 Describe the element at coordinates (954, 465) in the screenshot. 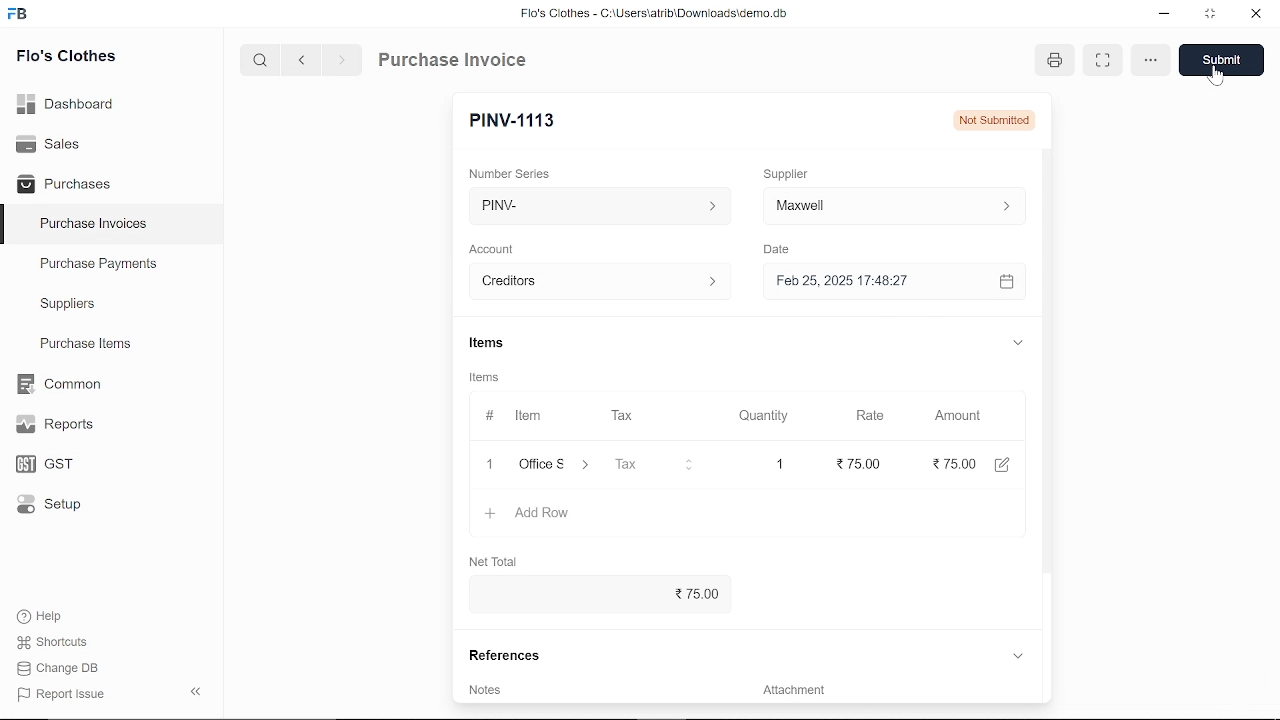

I see `0.00` at that location.